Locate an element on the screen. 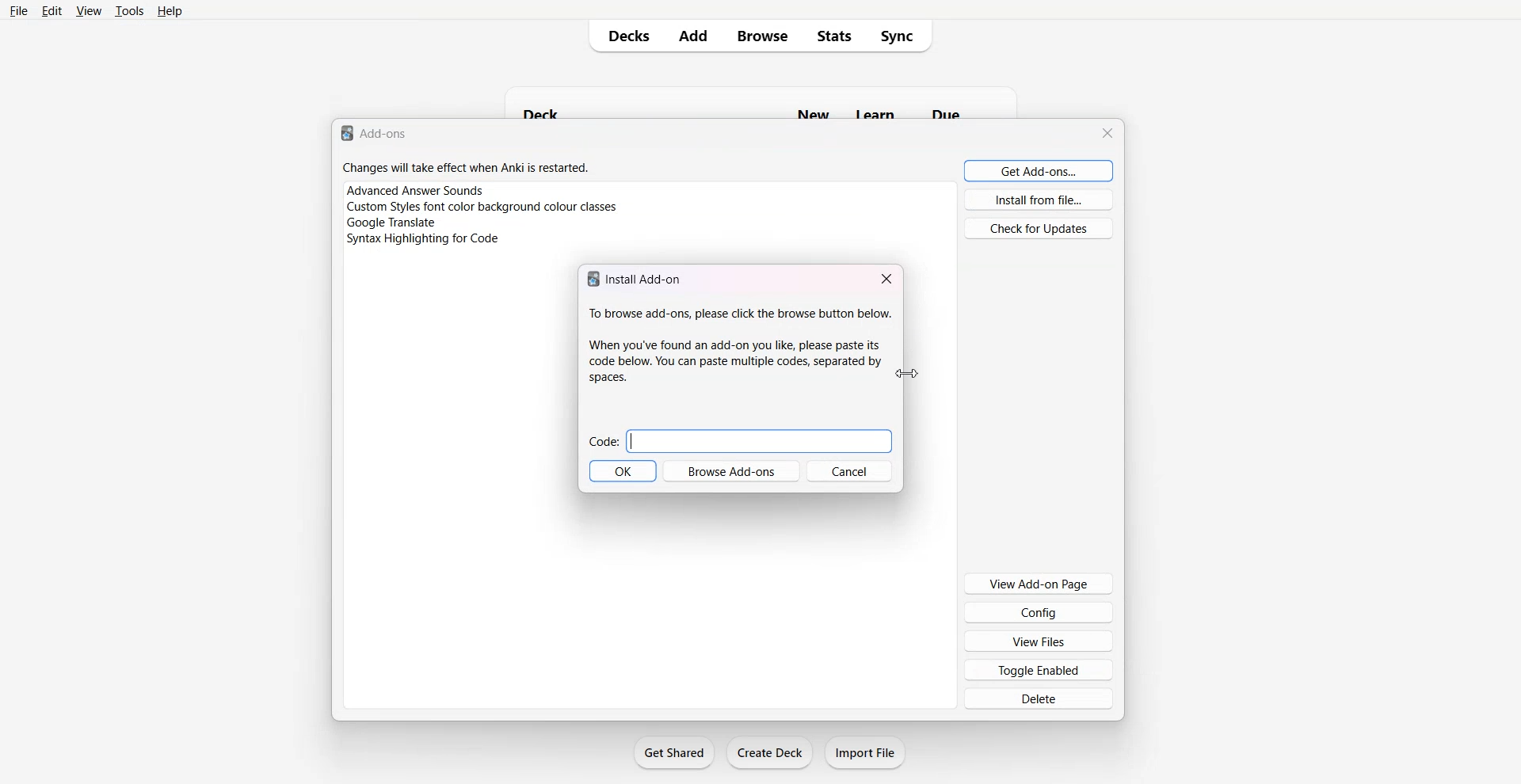 Image resolution: width=1521 pixels, height=784 pixels. Sync is located at coordinates (905, 36).